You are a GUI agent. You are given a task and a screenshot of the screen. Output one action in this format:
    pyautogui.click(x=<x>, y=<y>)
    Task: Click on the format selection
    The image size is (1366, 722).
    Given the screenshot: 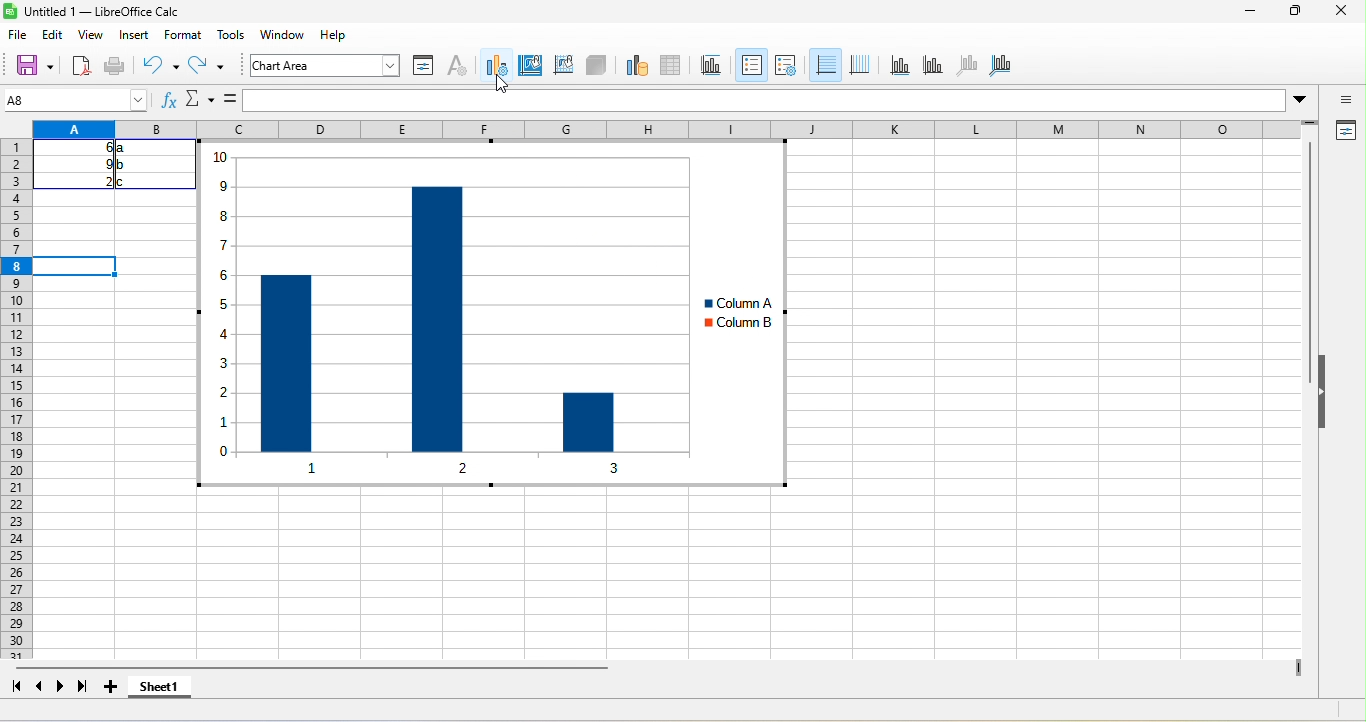 What is the action you would take?
    pyautogui.click(x=422, y=67)
    